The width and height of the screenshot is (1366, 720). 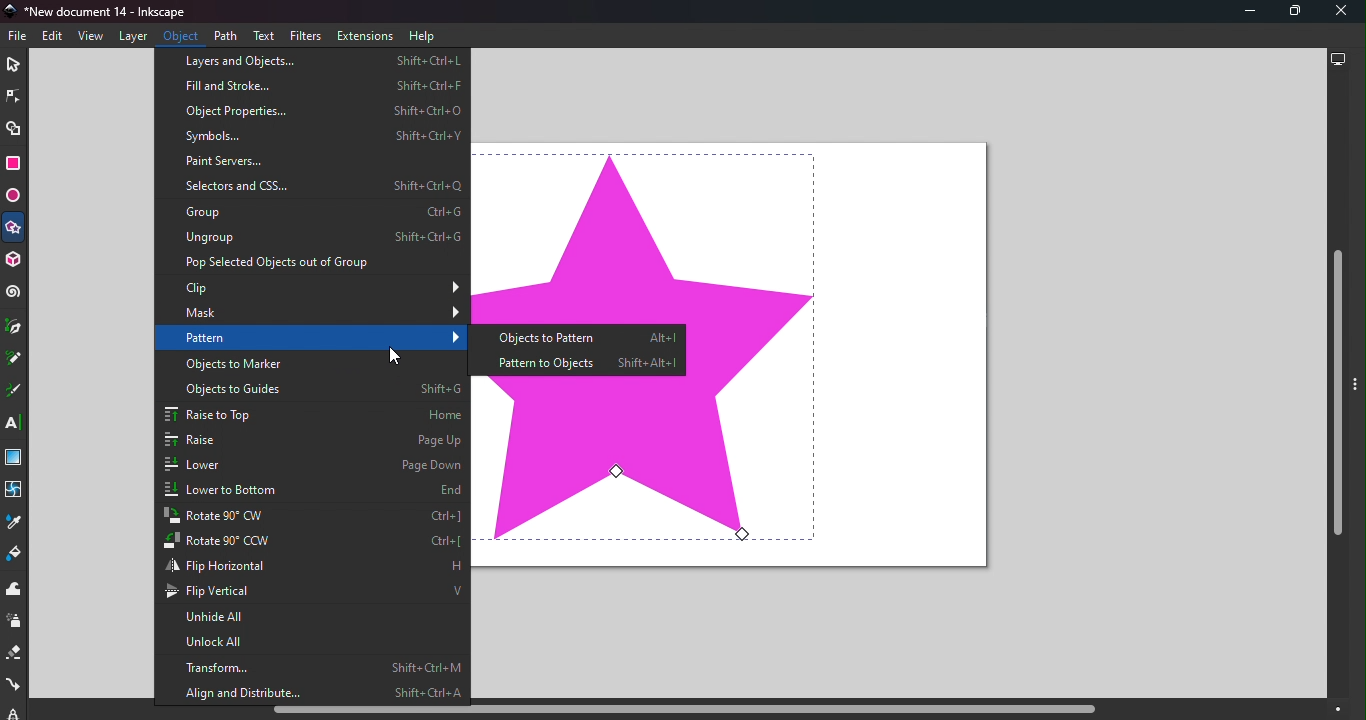 What do you see at coordinates (322, 235) in the screenshot?
I see `Ungroup` at bounding box center [322, 235].